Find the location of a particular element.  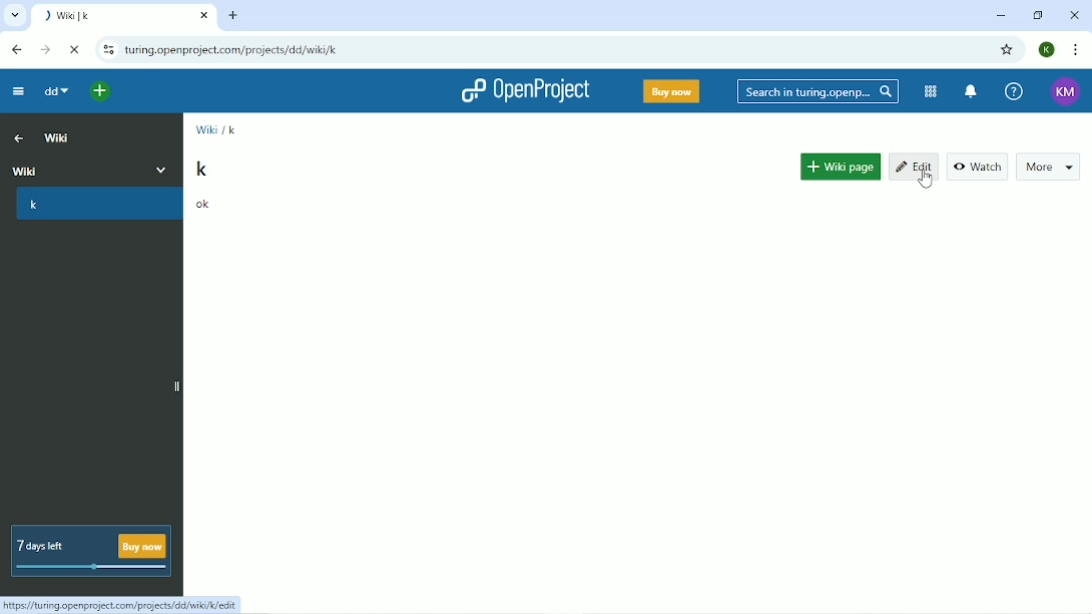

To notification center is located at coordinates (972, 91).